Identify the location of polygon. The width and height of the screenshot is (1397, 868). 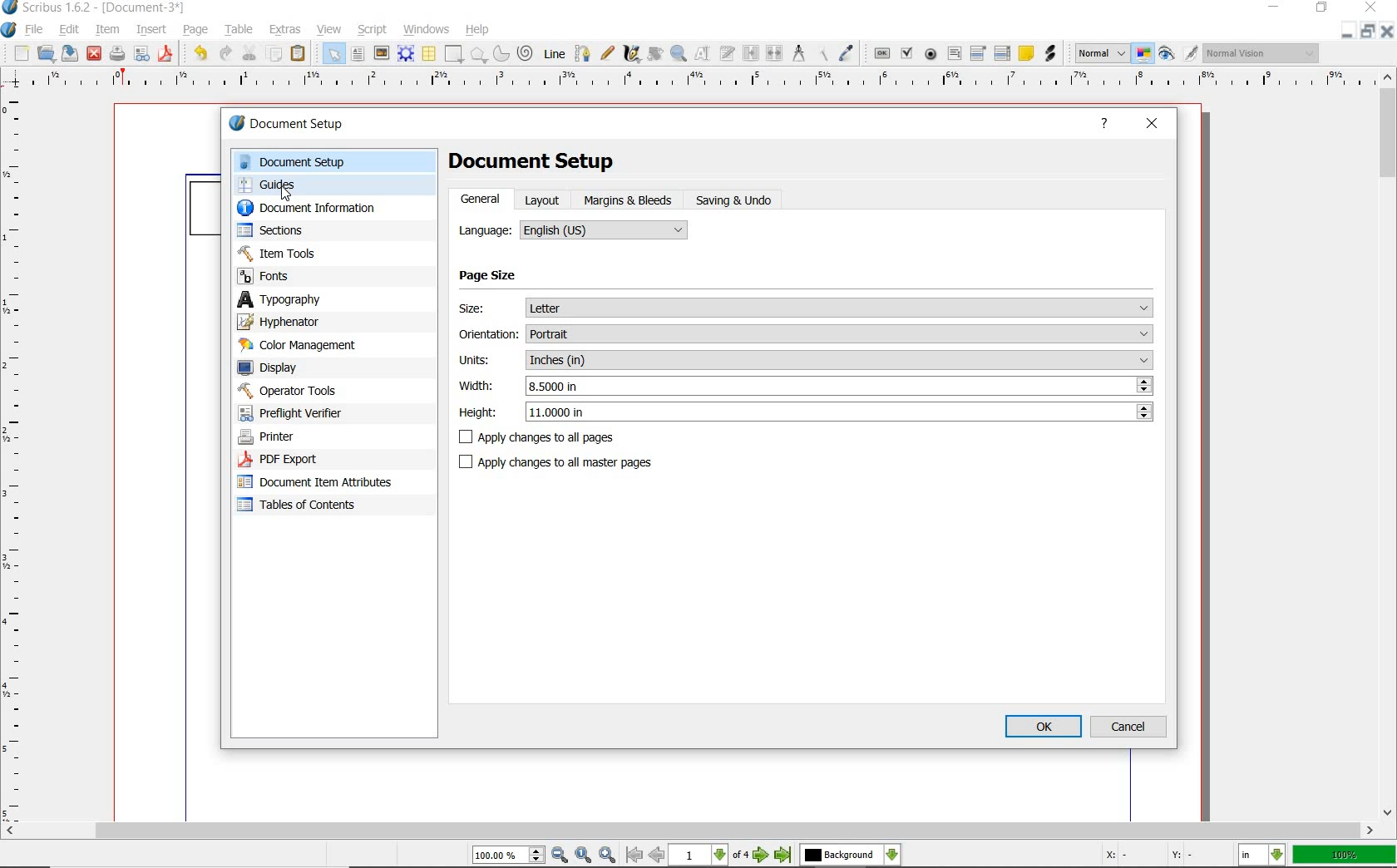
(477, 55).